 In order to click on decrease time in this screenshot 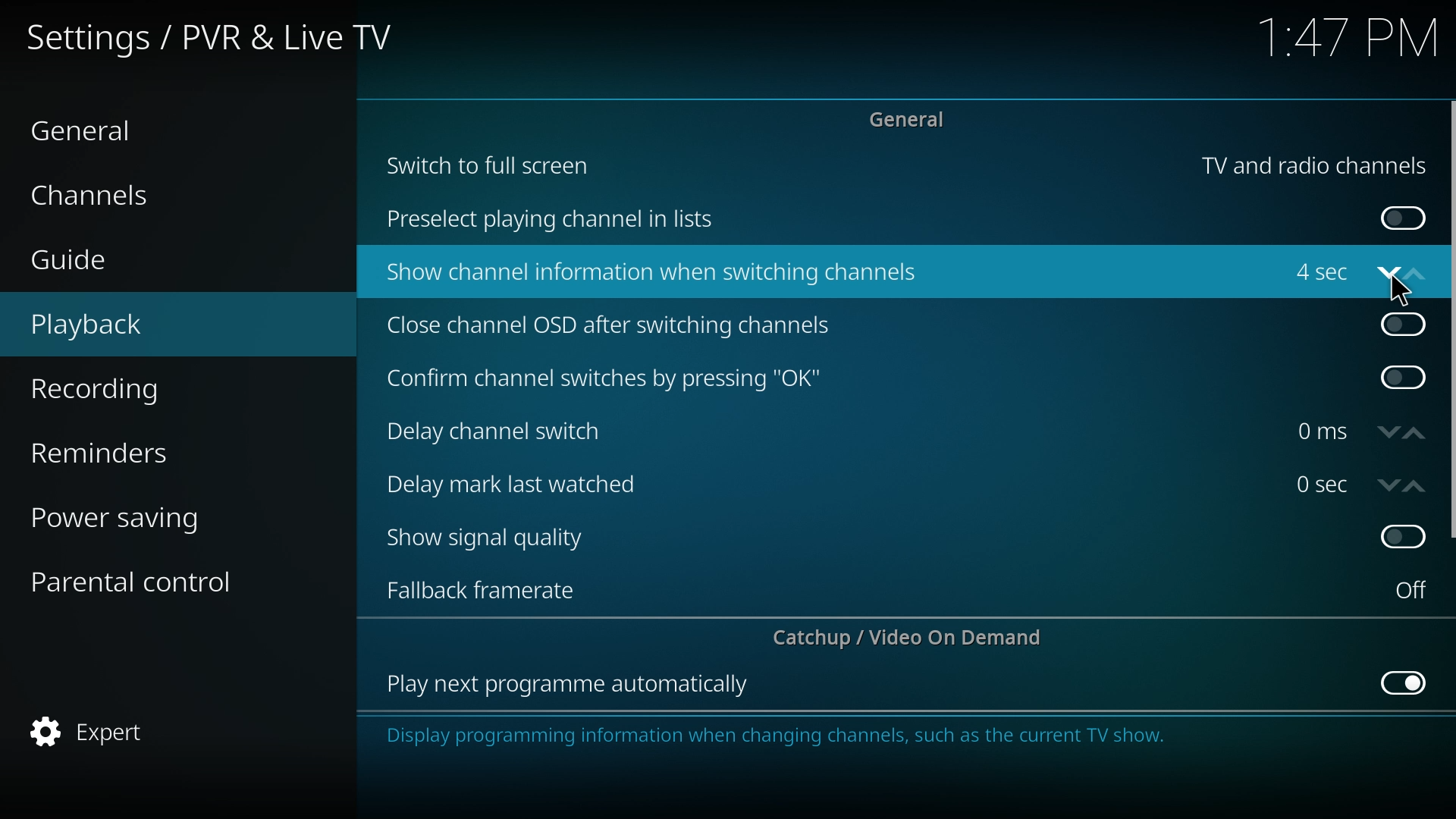, I will do `click(1389, 485)`.